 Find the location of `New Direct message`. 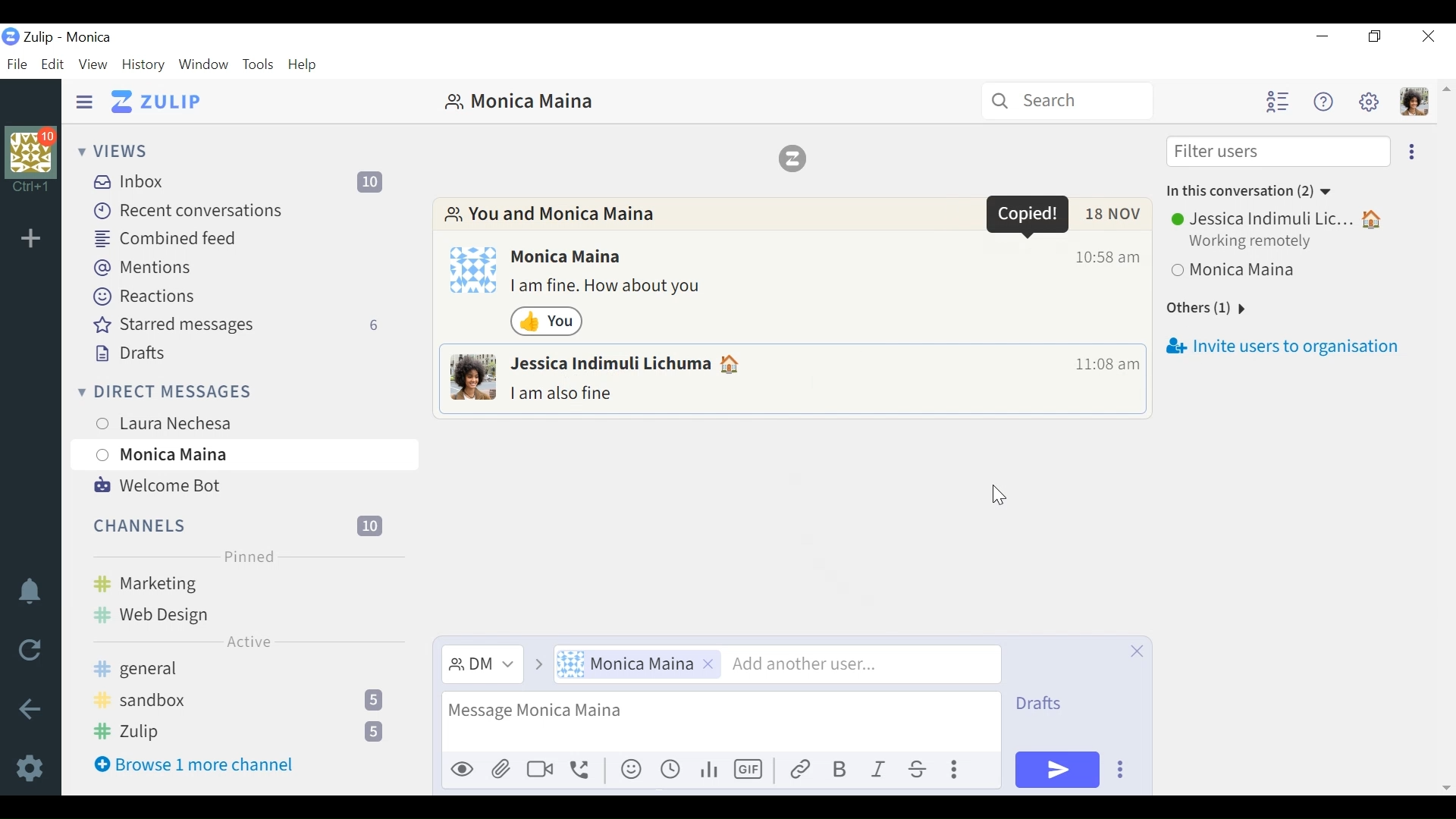

New Direct message is located at coordinates (375, 392).